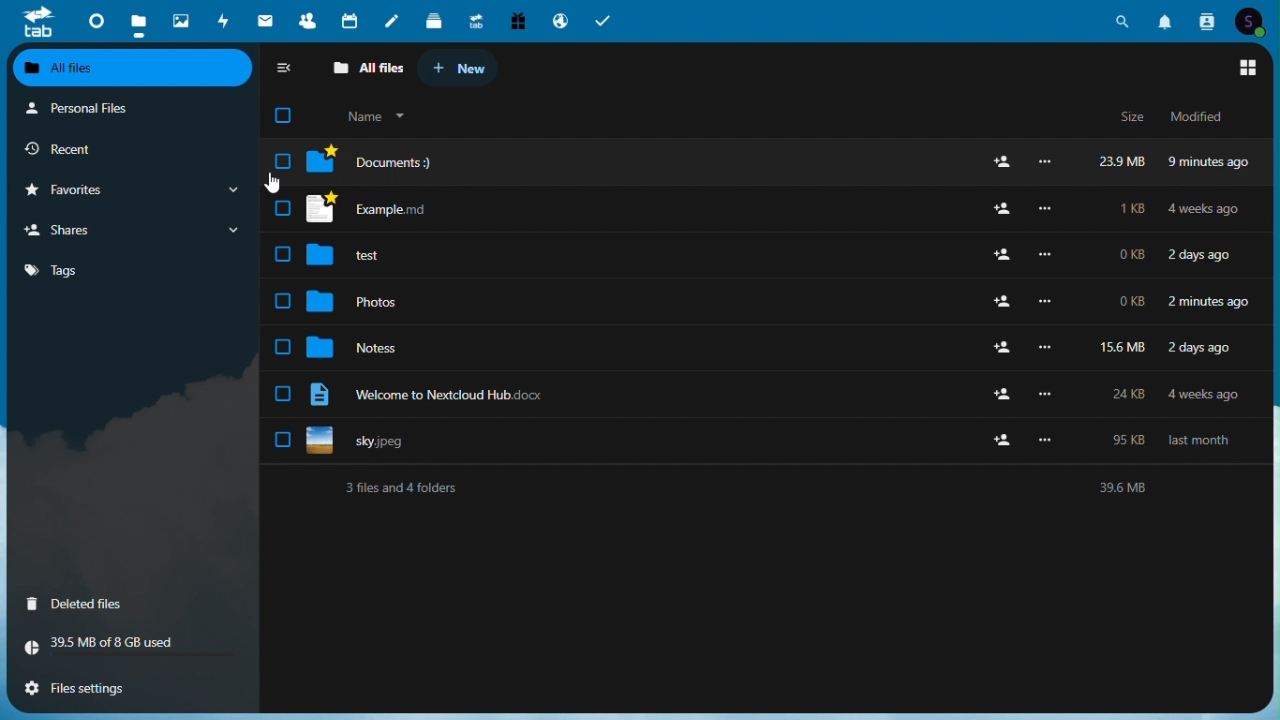  What do you see at coordinates (121, 689) in the screenshot?
I see `File settings` at bounding box center [121, 689].